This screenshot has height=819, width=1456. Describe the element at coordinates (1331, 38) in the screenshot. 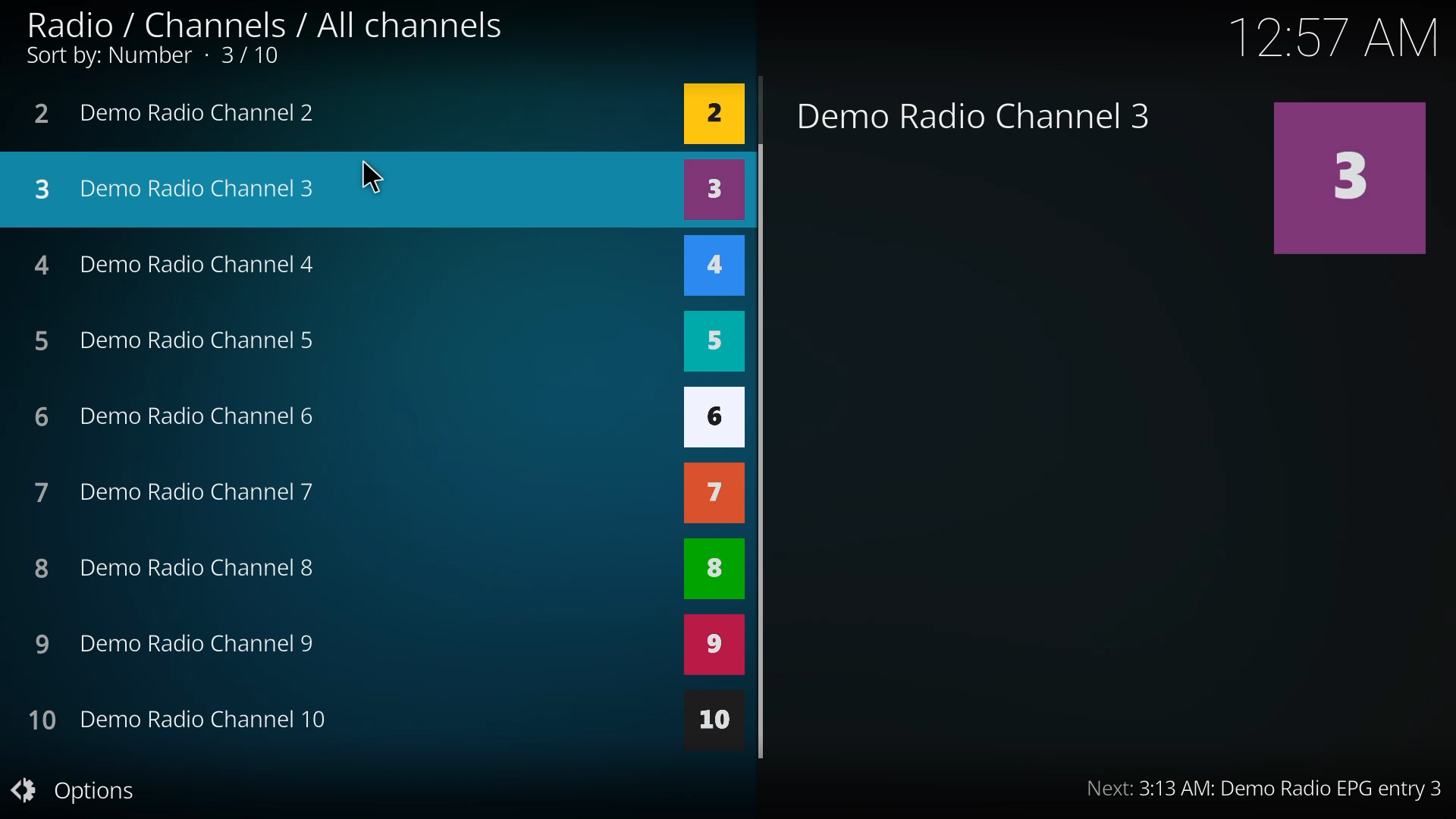

I see `time` at that location.